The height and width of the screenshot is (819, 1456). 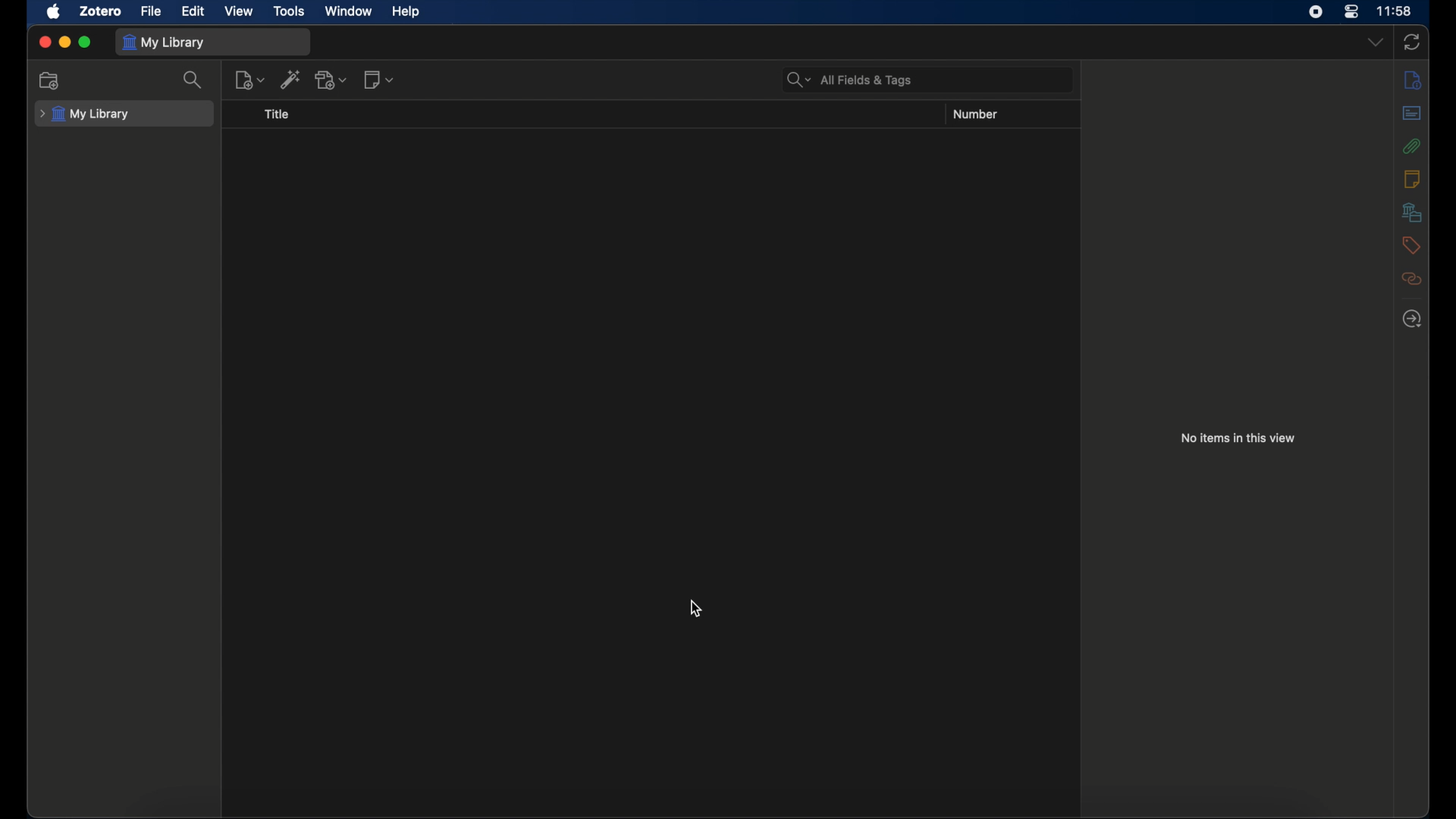 What do you see at coordinates (697, 608) in the screenshot?
I see `cursor` at bounding box center [697, 608].